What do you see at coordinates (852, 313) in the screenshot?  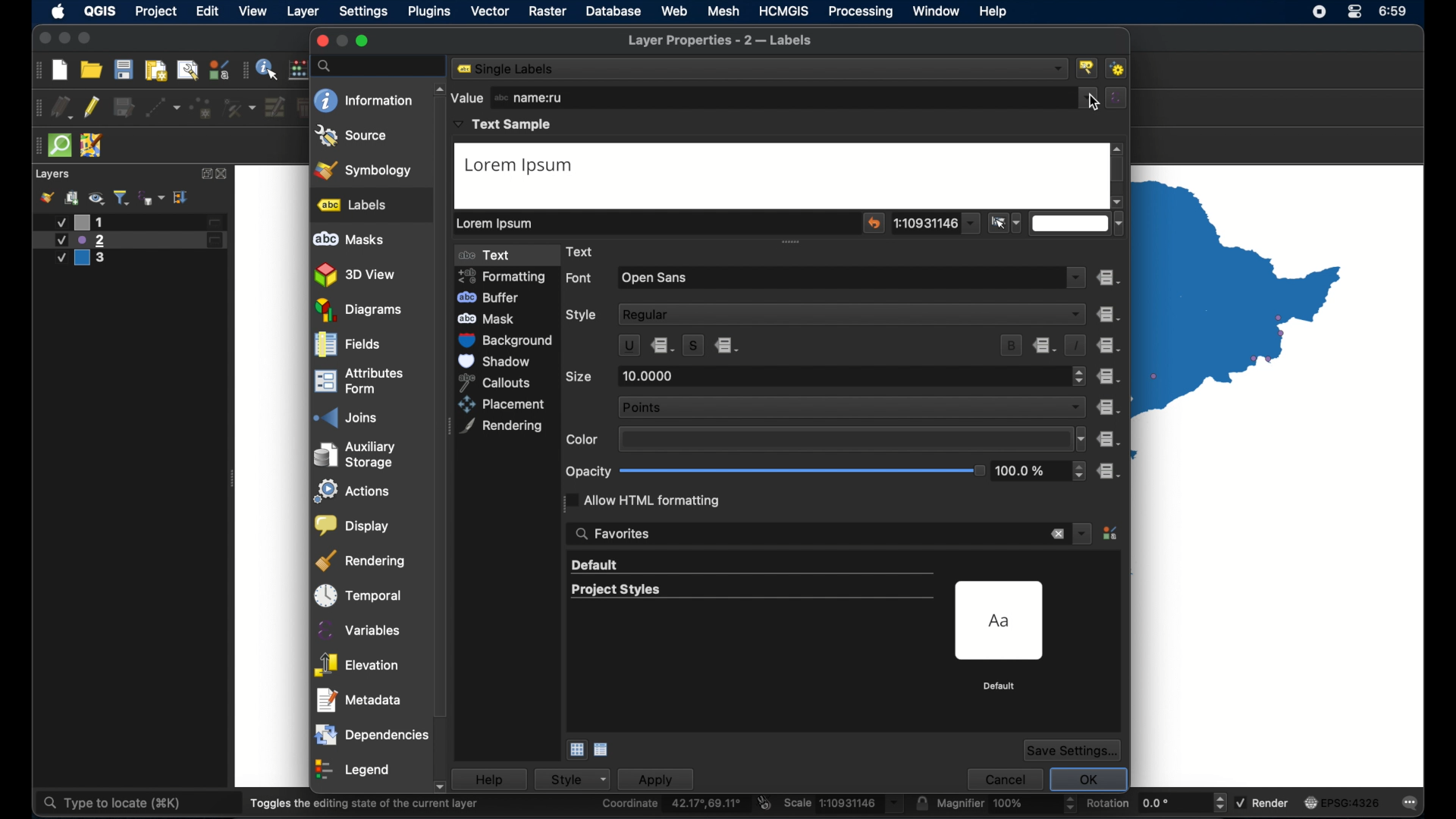 I see `regular dropdown` at bounding box center [852, 313].